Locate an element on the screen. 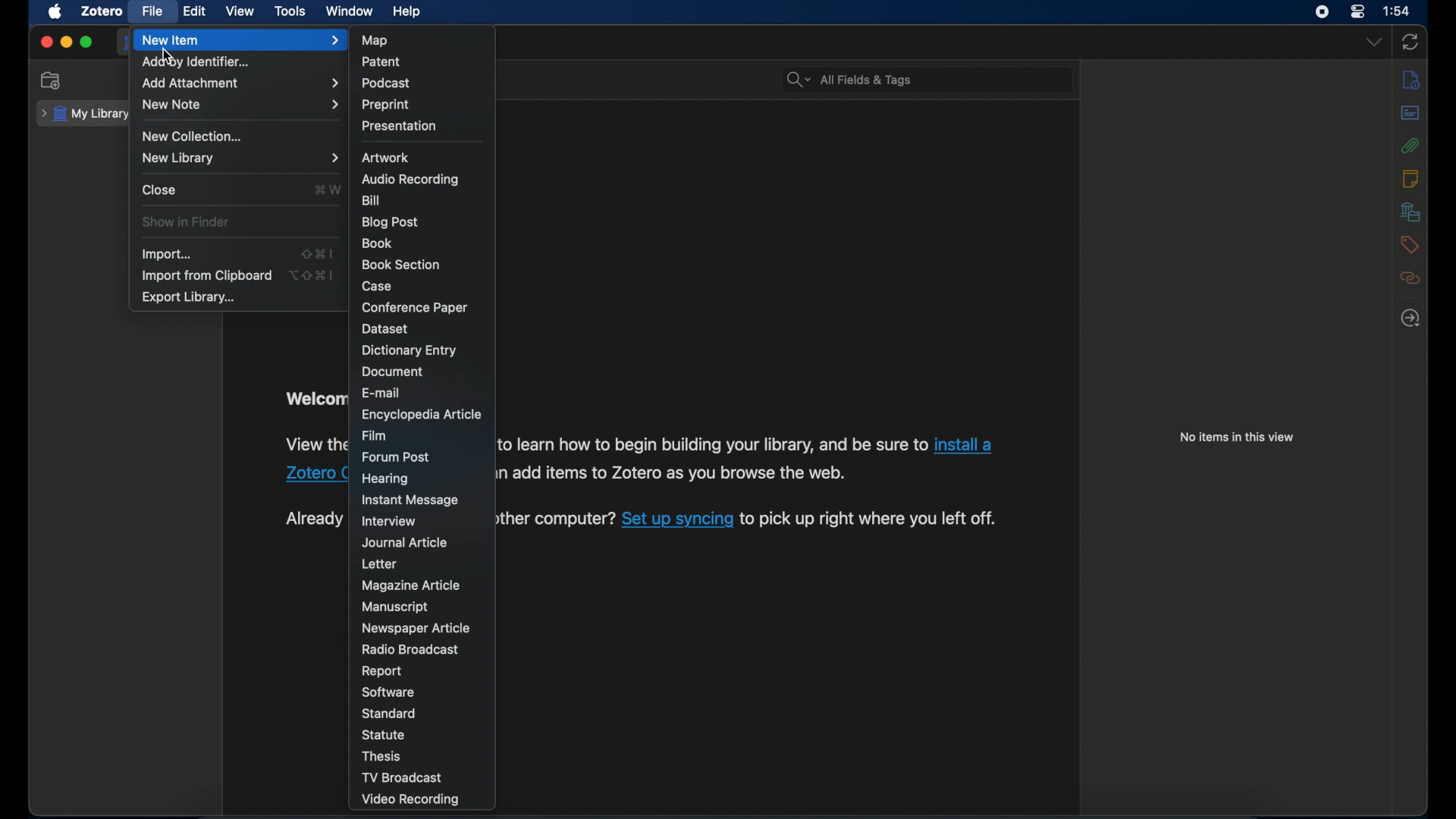 Image resolution: width=1456 pixels, height=819 pixels. to pick up right where you left off. is located at coordinates (868, 519).